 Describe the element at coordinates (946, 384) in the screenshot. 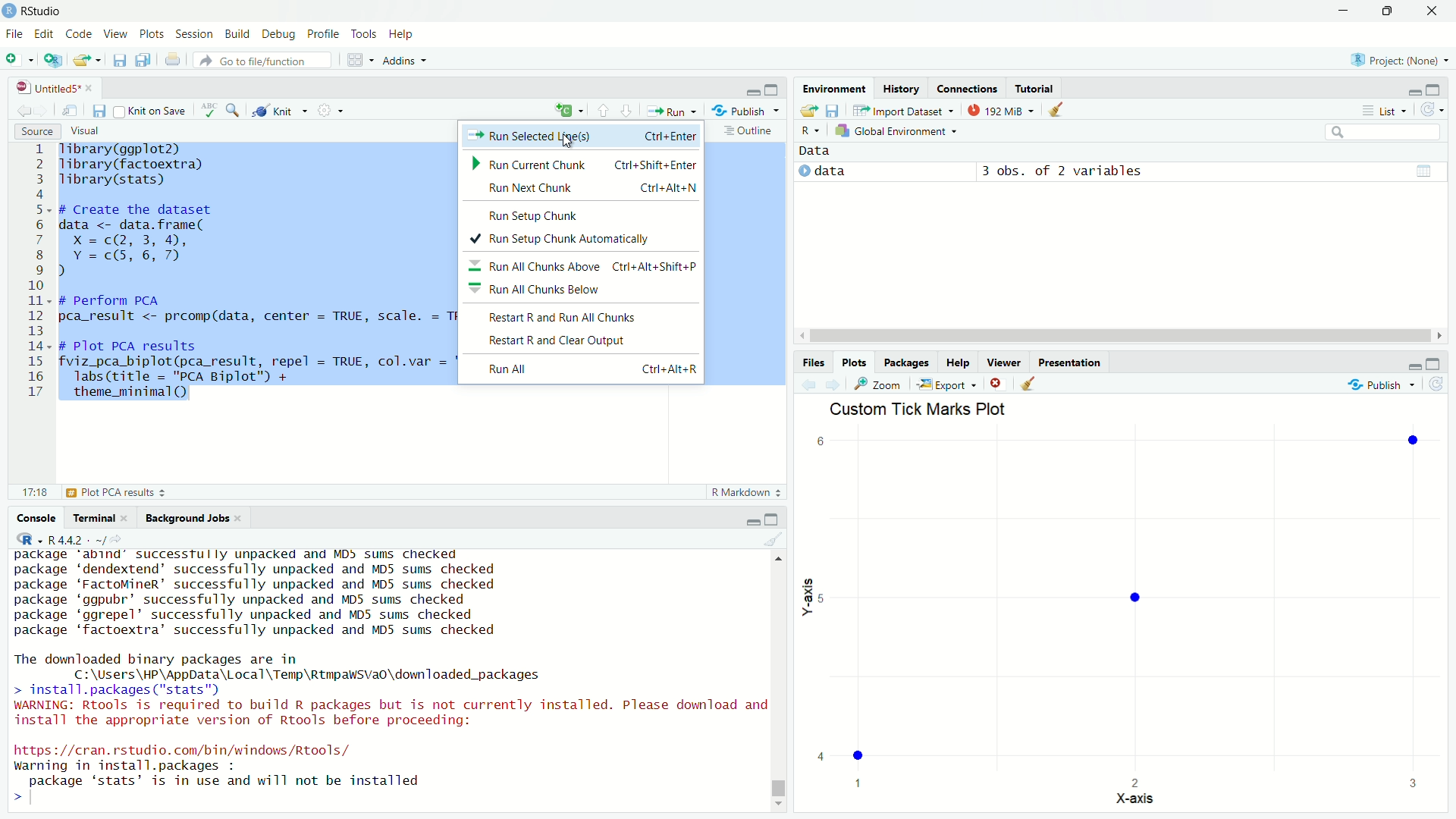

I see `export` at that location.